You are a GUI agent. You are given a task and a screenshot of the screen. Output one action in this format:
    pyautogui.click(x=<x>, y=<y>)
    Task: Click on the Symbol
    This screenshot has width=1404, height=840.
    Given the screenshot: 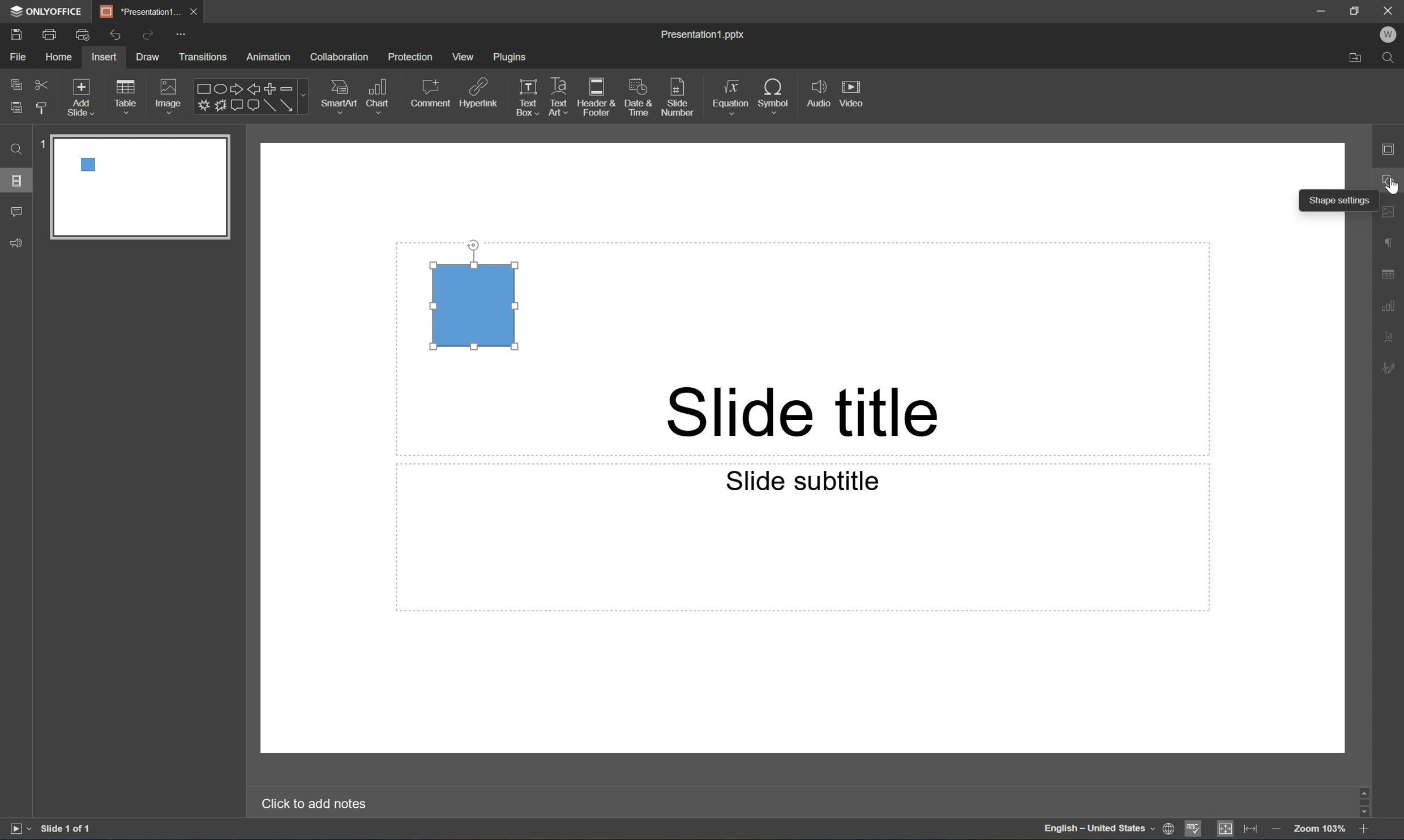 What is the action you would take?
    pyautogui.click(x=774, y=94)
    